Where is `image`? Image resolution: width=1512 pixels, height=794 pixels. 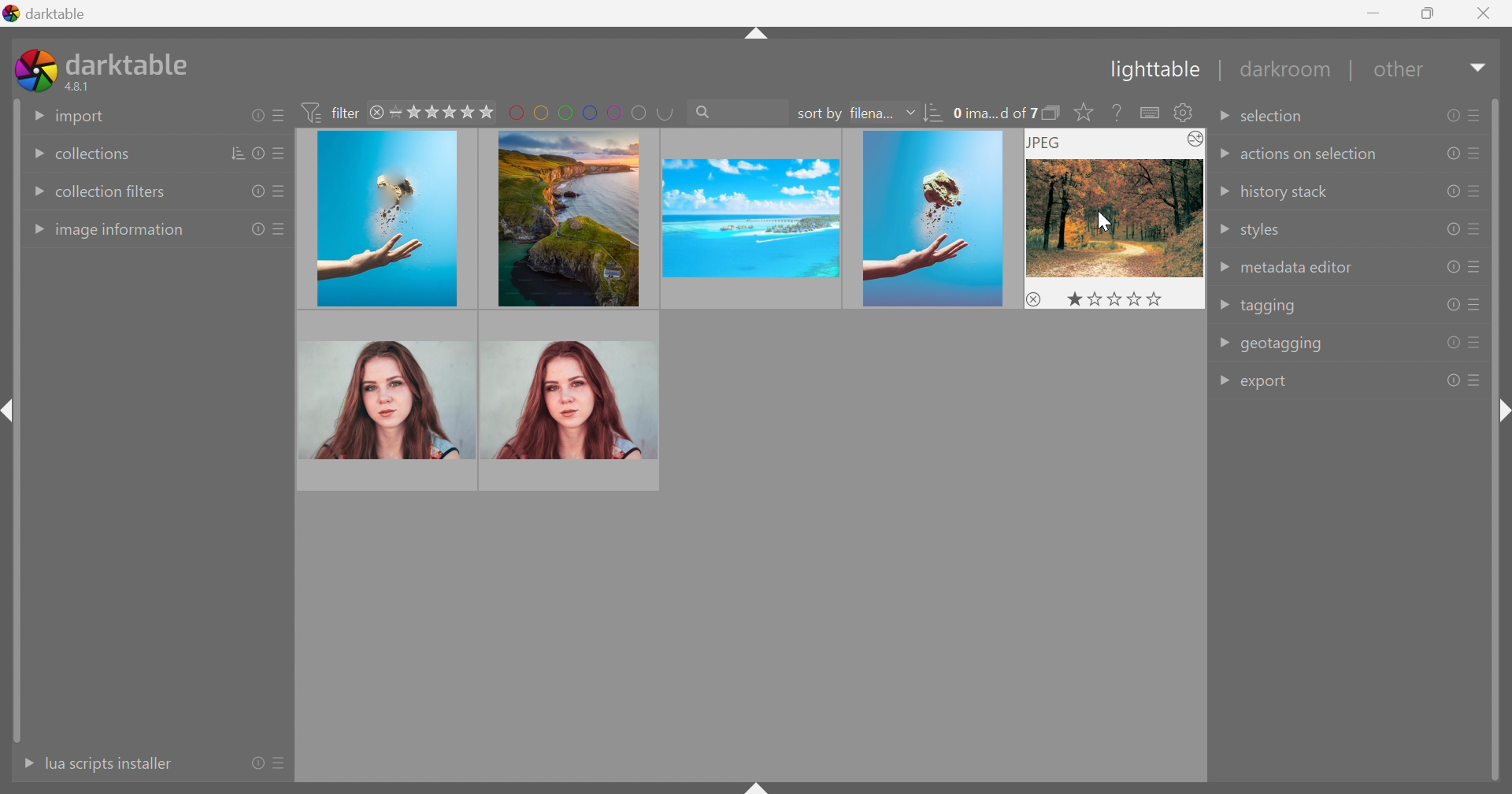
image is located at coordinates (388, 400).